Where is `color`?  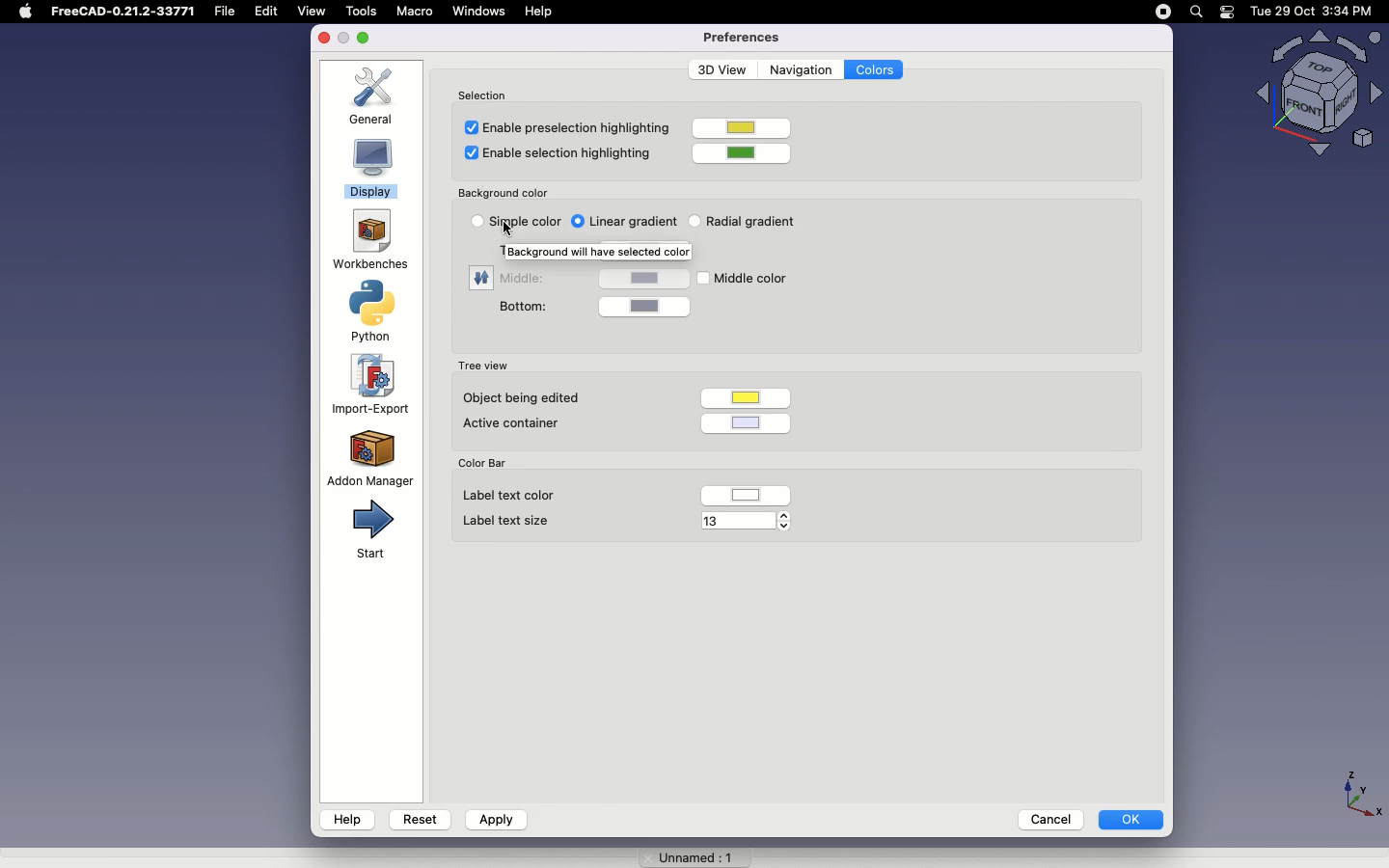
color is located at coordinates (745, 394).